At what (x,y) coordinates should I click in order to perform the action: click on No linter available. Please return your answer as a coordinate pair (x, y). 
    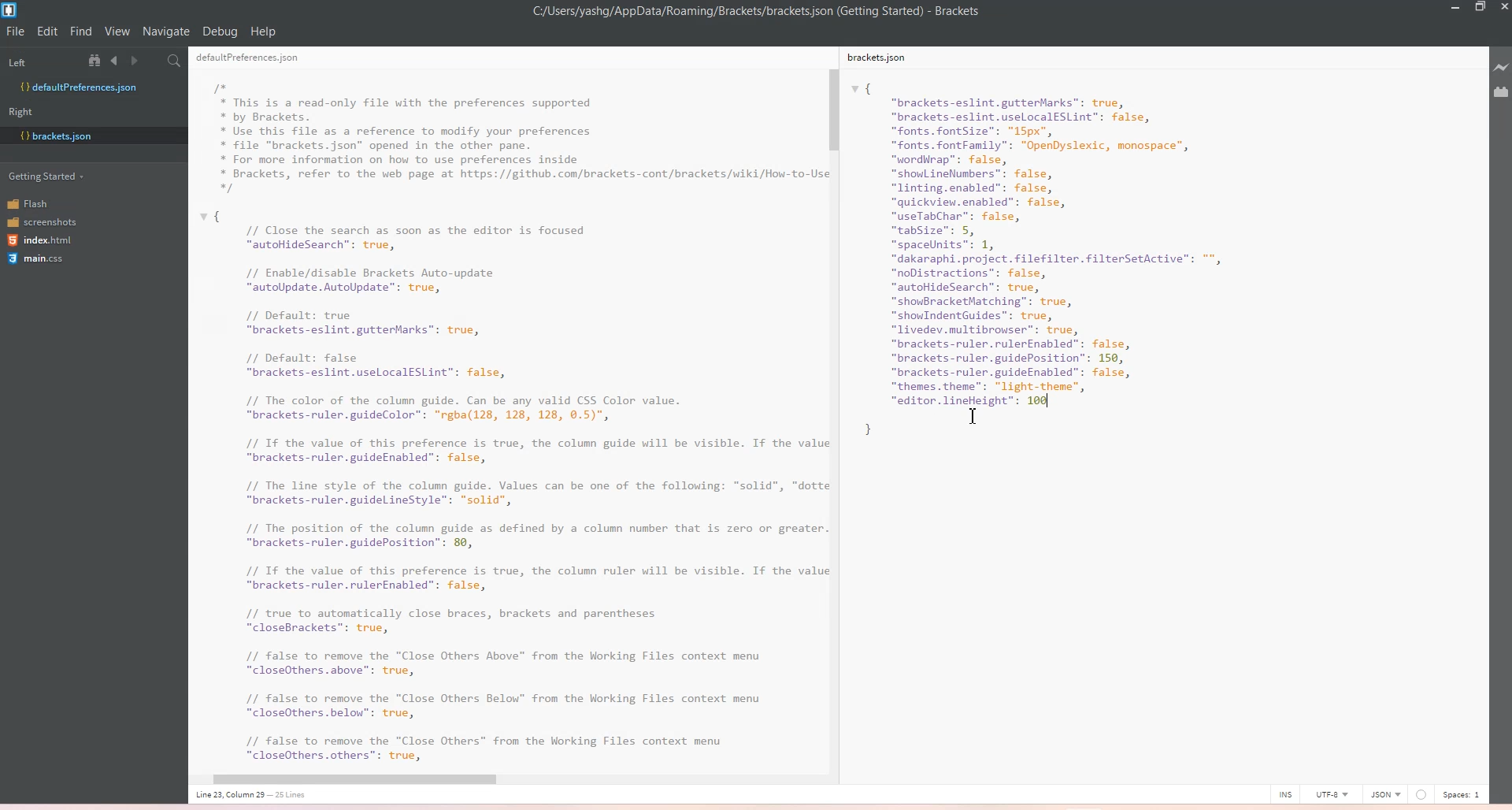
    Looking at the image, I should click on (1421, 795).